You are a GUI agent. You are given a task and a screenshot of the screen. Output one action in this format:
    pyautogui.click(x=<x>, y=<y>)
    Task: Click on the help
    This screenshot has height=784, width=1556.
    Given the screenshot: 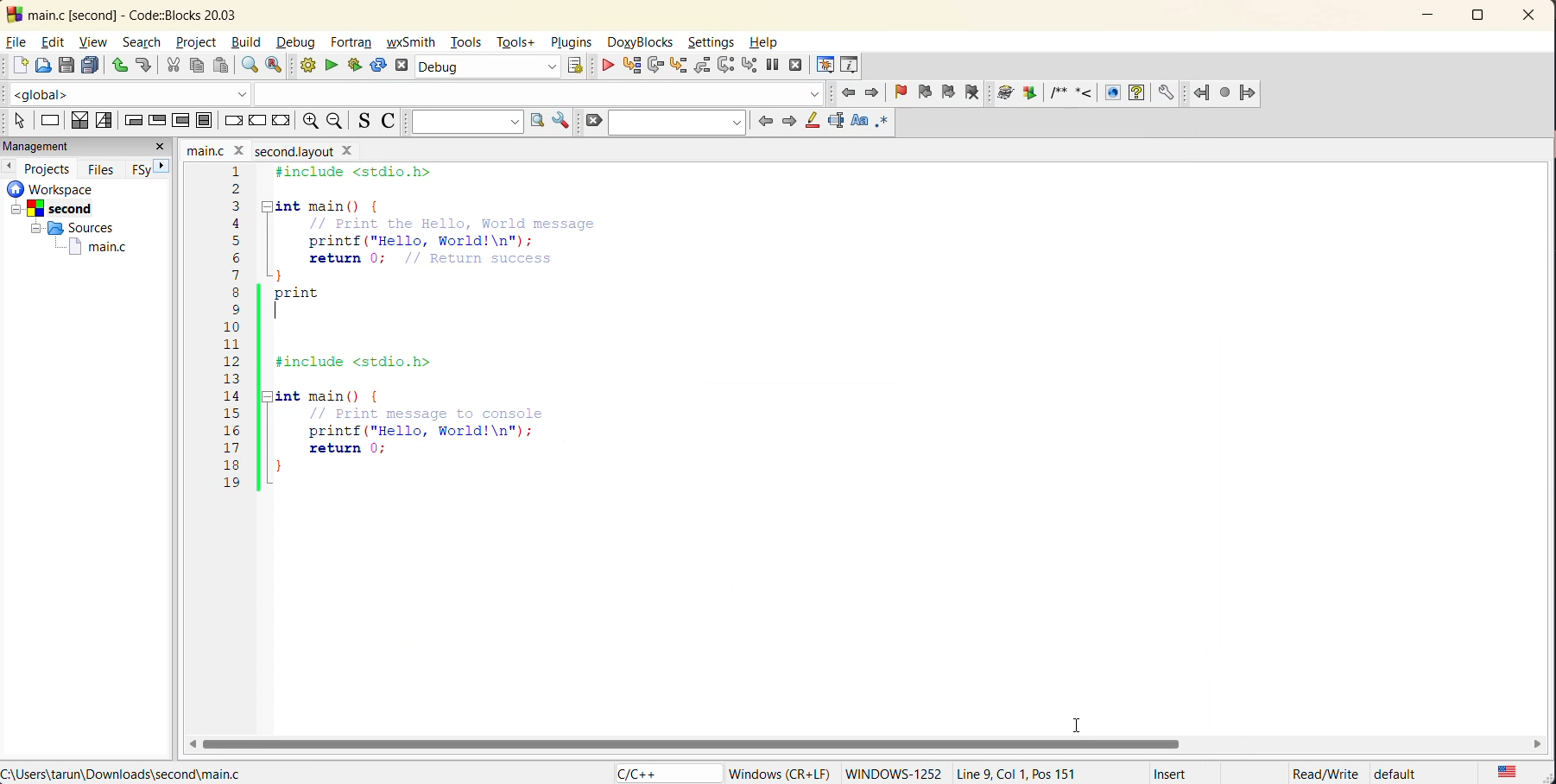 What is the action you would take?
    pyautogui.click(x=771, y=43)
    